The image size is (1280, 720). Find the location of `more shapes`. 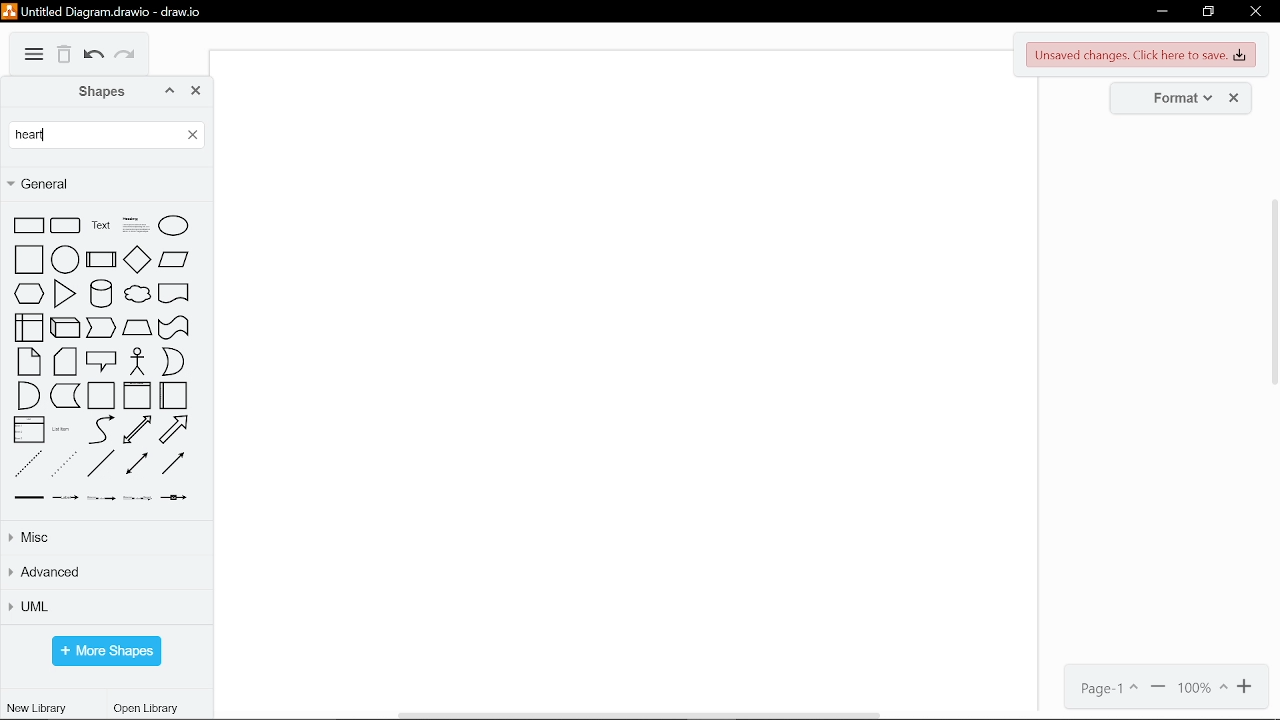

more shapes is located at coordinates (106, 651).